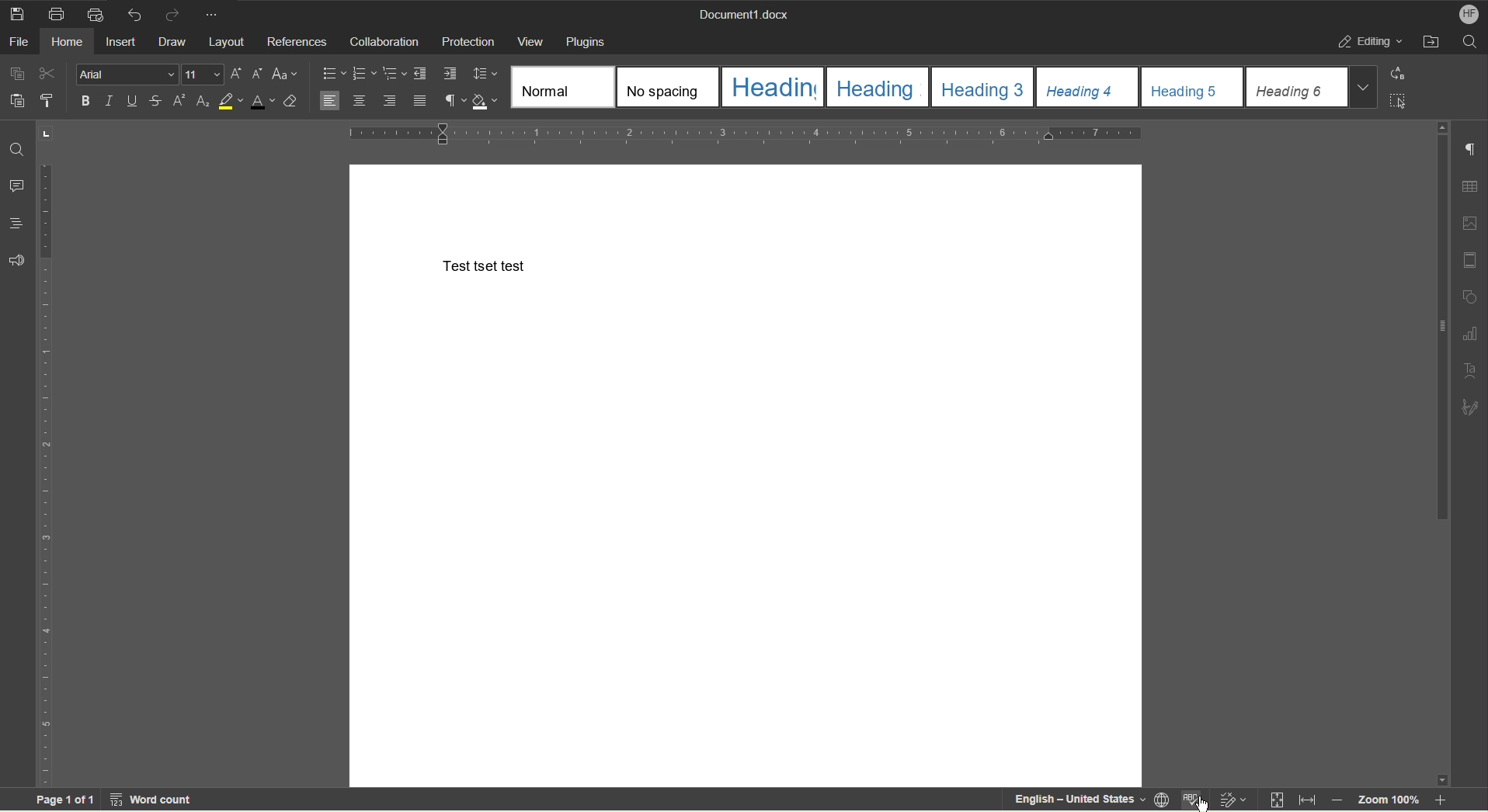 This screenshot has height=812, width=1488. What do you see at coordinates (1089, 88) in the screenshot?
I see `Heading 4` at bounding box center [1089, 88].